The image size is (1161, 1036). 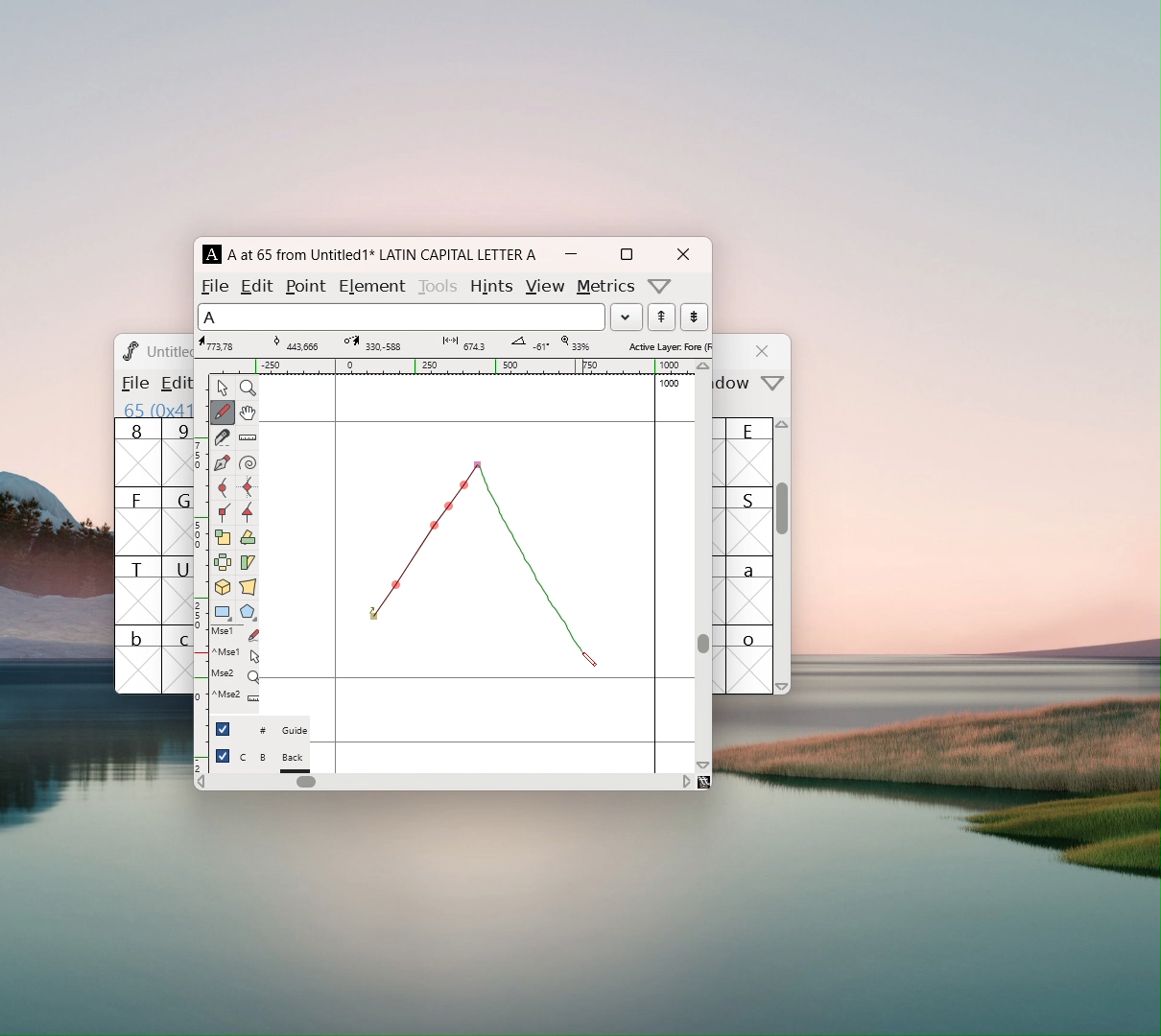 What do you see at coordinates (222, 343) in the screenshot?
I see `cursor coordinates` at bounding box center [222, 343].